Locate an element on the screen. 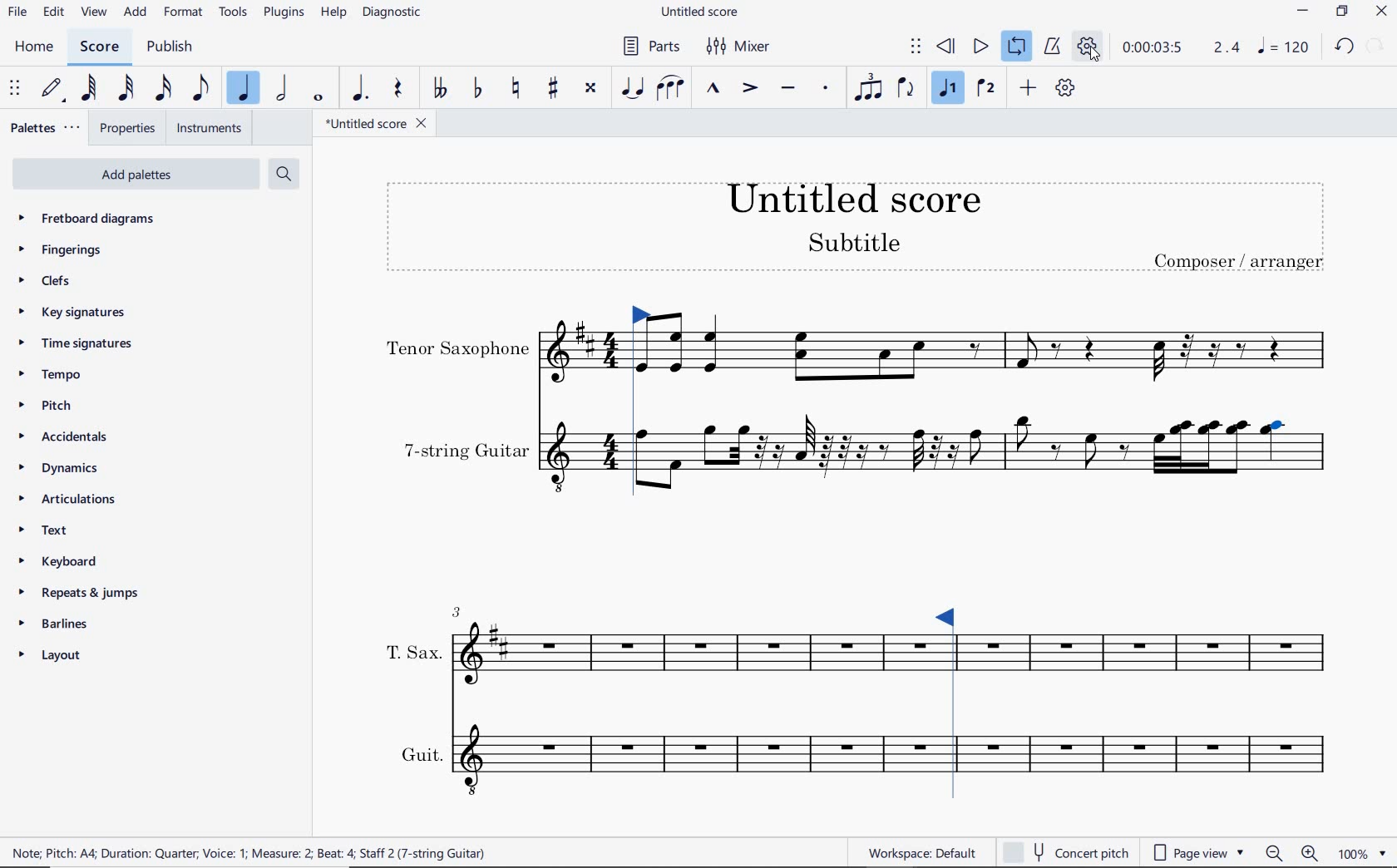 This screenshot has height=868, width=1397. zoom in or zoom out is located at coordinates (1288, 853).